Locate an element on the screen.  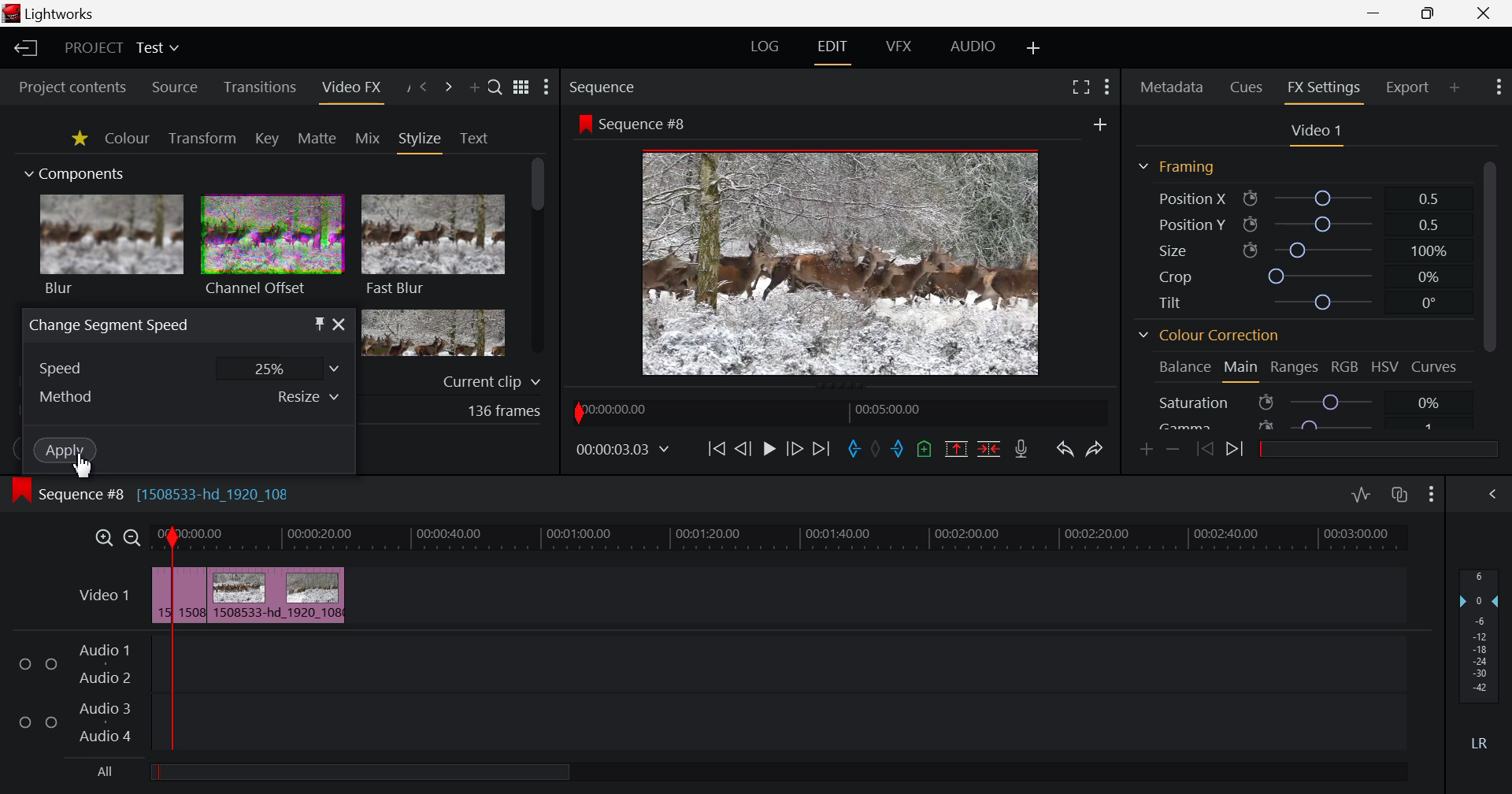
LOG Layout is located at coordinates (765, 47).